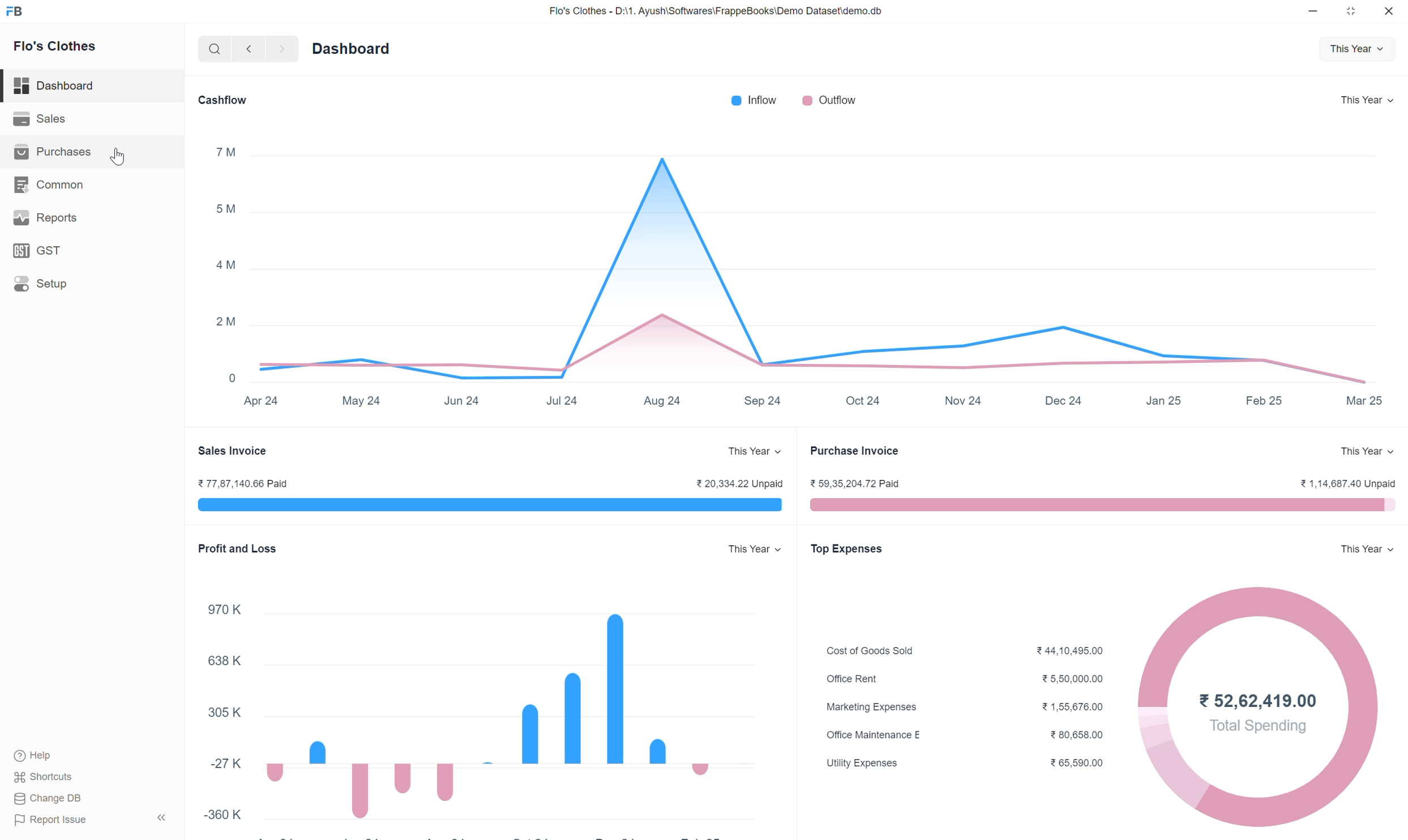  Describe the element at coordinates (92, 119) in the screenshot. I see `Sales` at that location.